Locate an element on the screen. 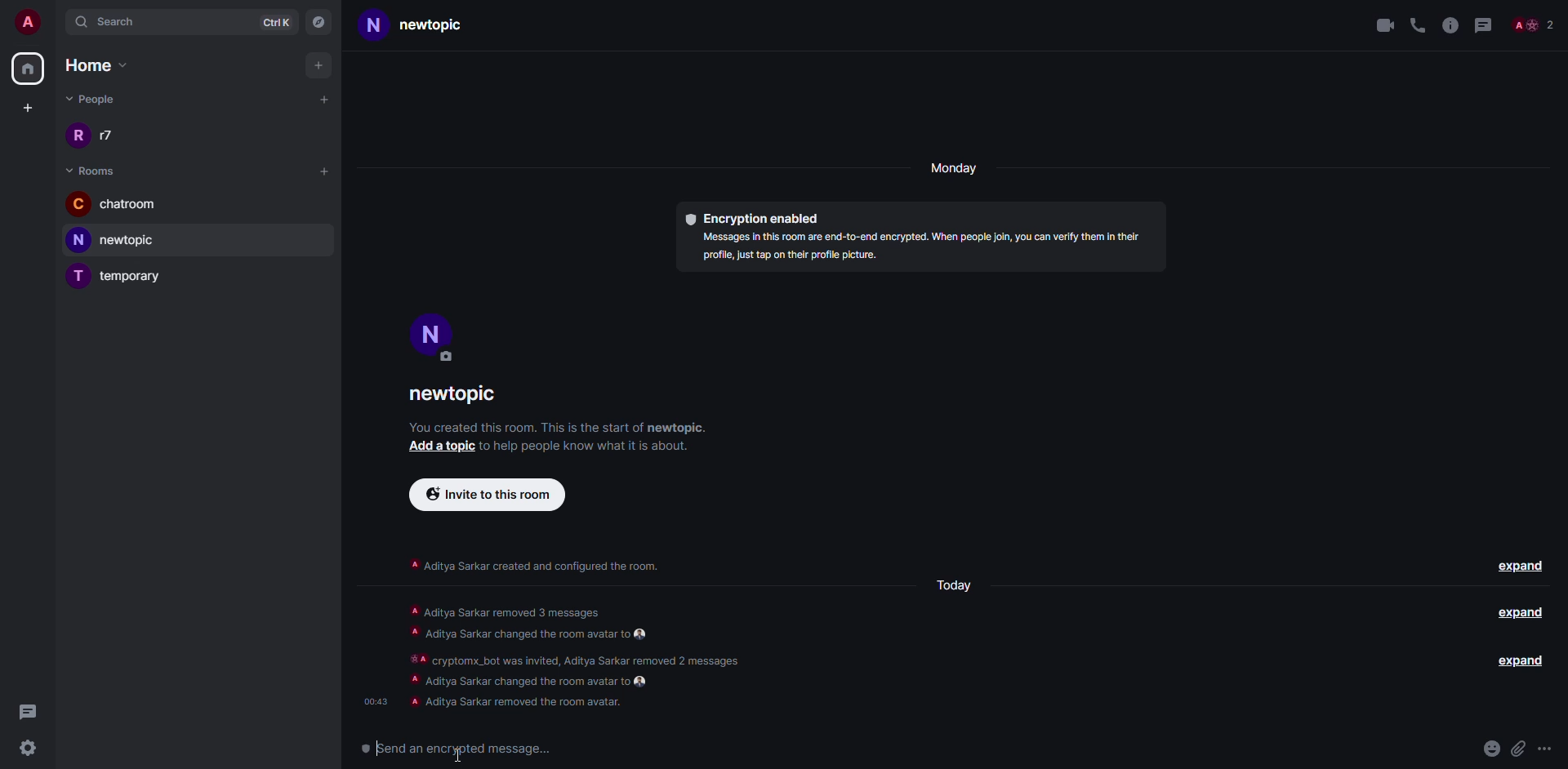  You created this room. This is the start of newtopic. is located at coordinates (561, 426).